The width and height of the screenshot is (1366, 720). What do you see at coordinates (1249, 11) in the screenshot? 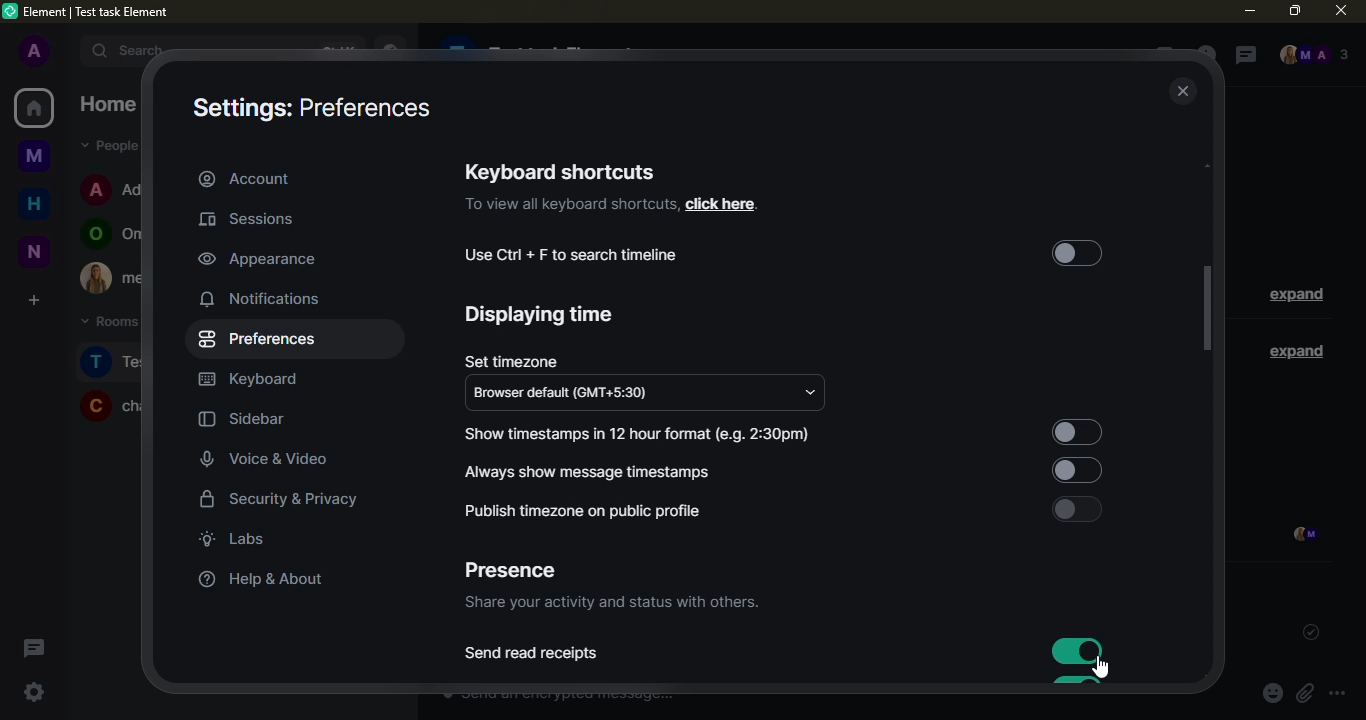
I see `minimize` at bounding box center [1249, 11].